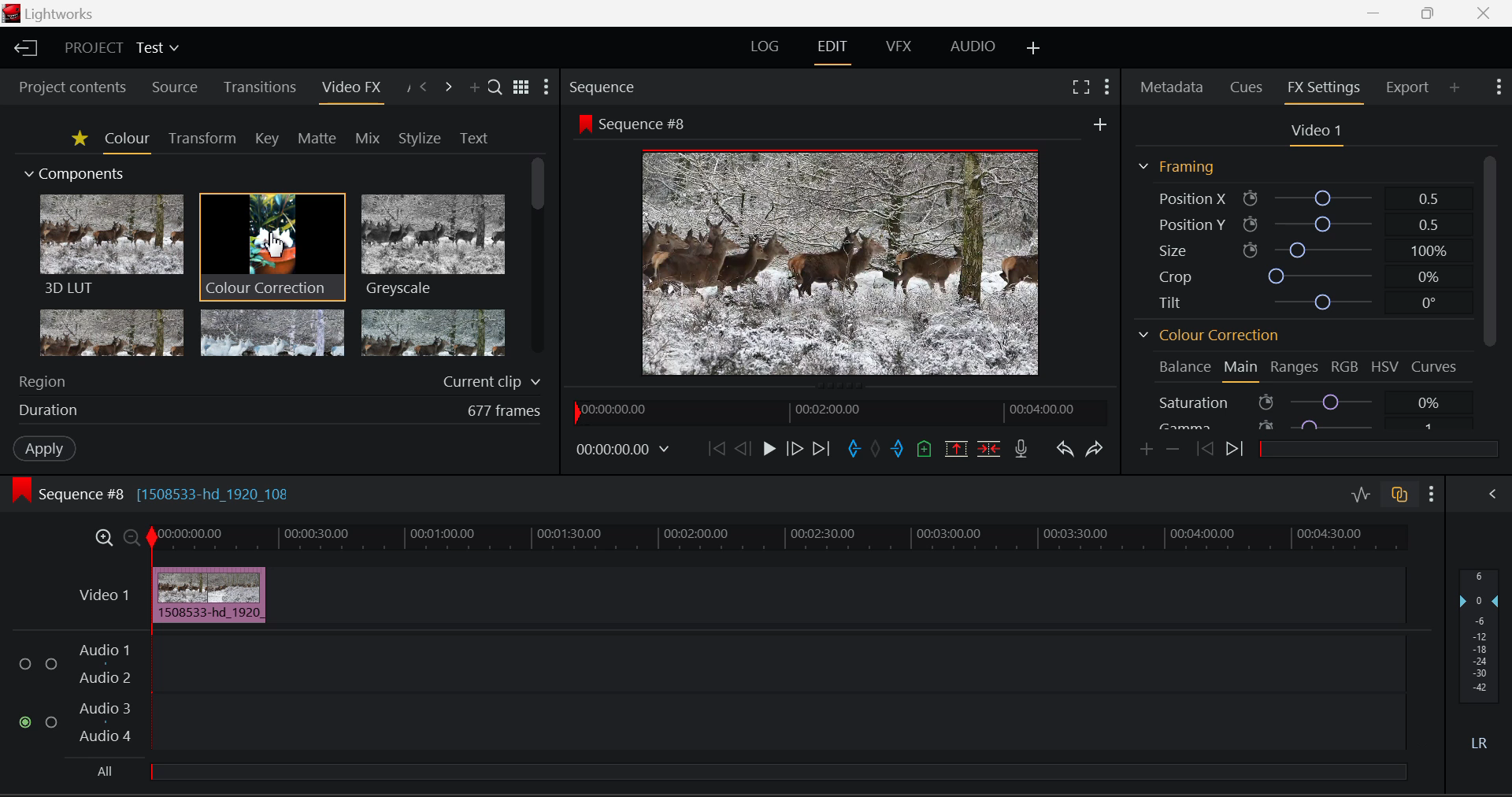  I want to click on Search, so click(492, 84).